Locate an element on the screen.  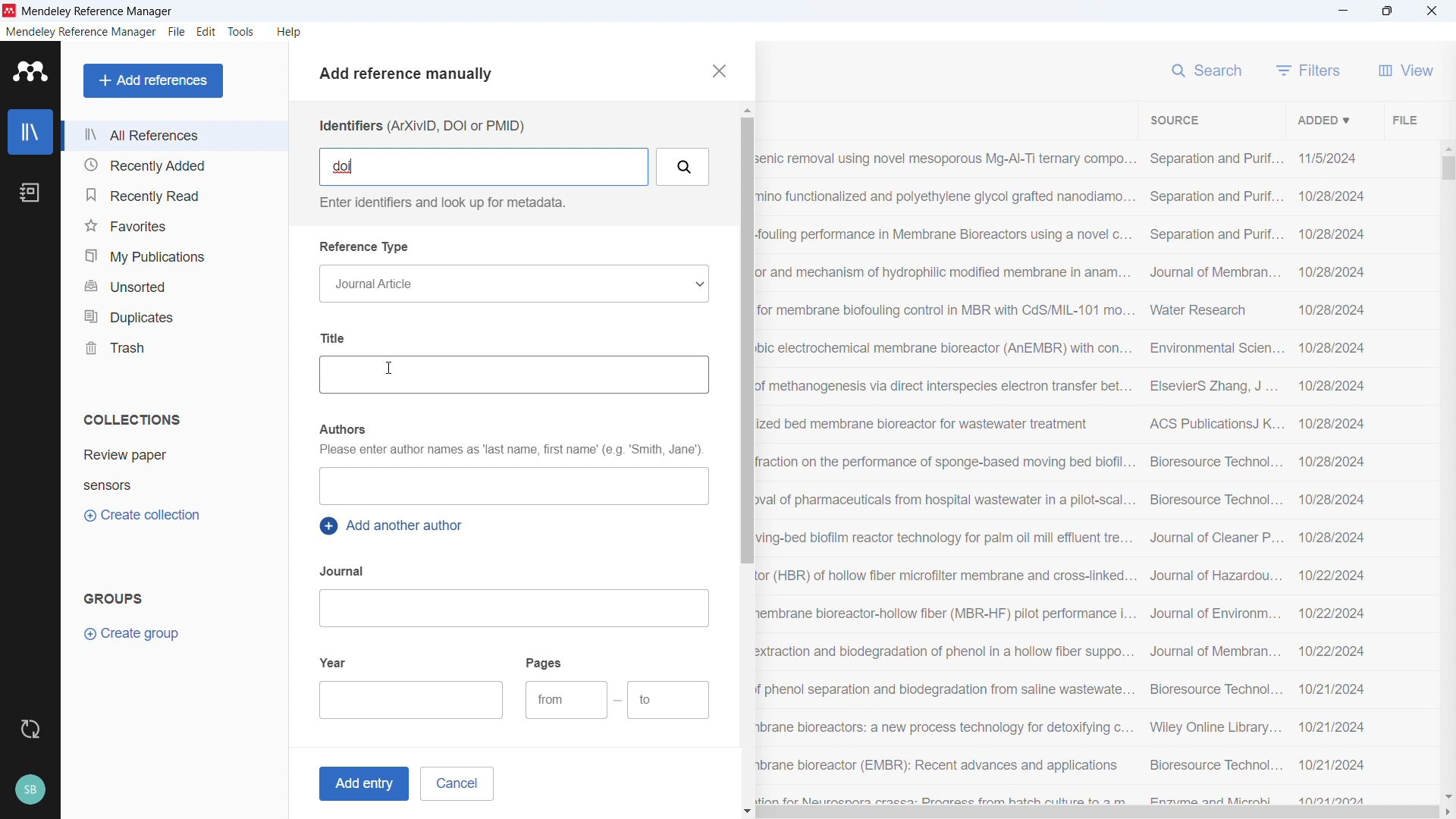
Reference type selection  is located at coordinates (513, 284).